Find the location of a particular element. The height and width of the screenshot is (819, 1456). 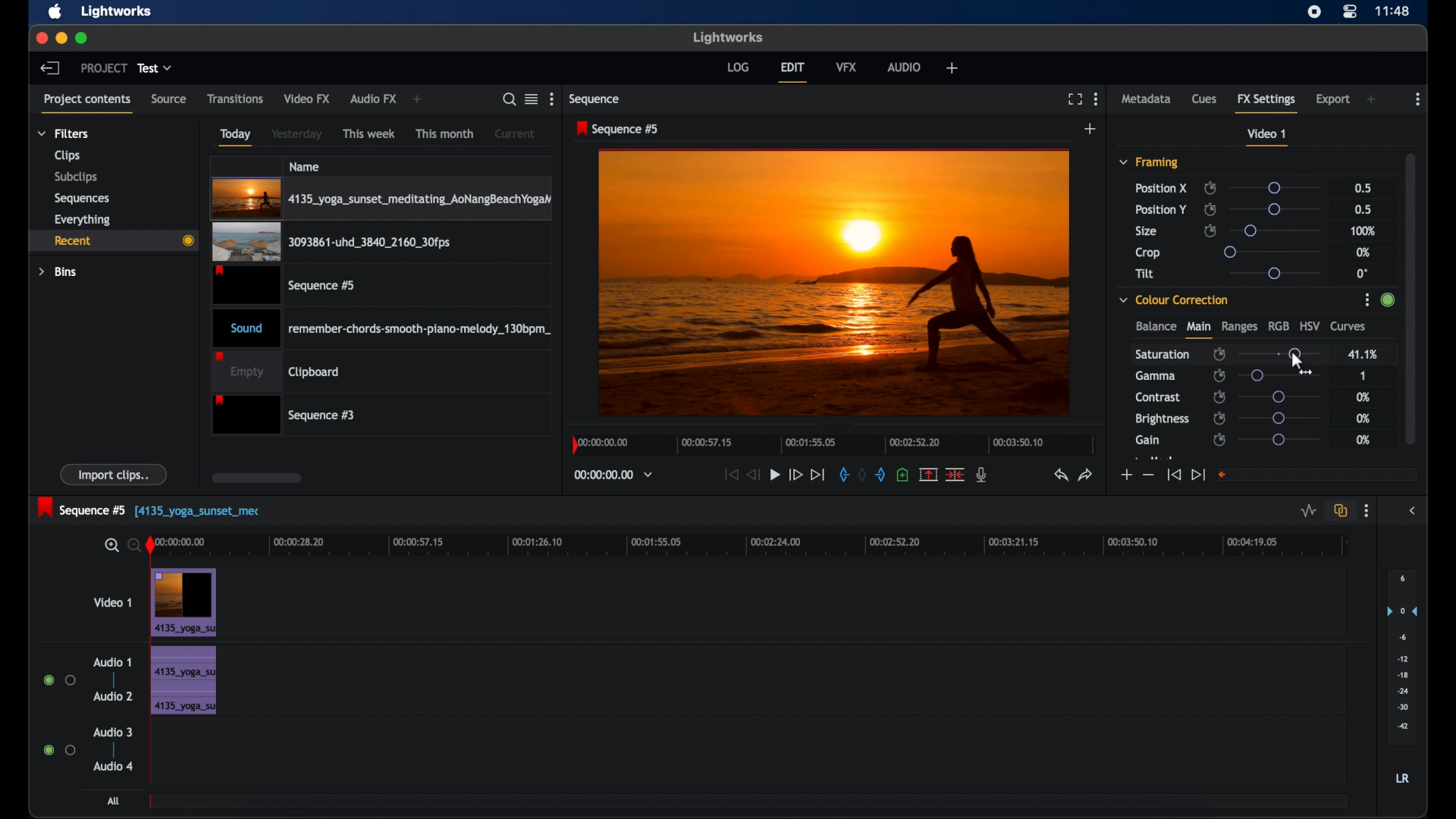

import clips is located at coordinates (115, 475).